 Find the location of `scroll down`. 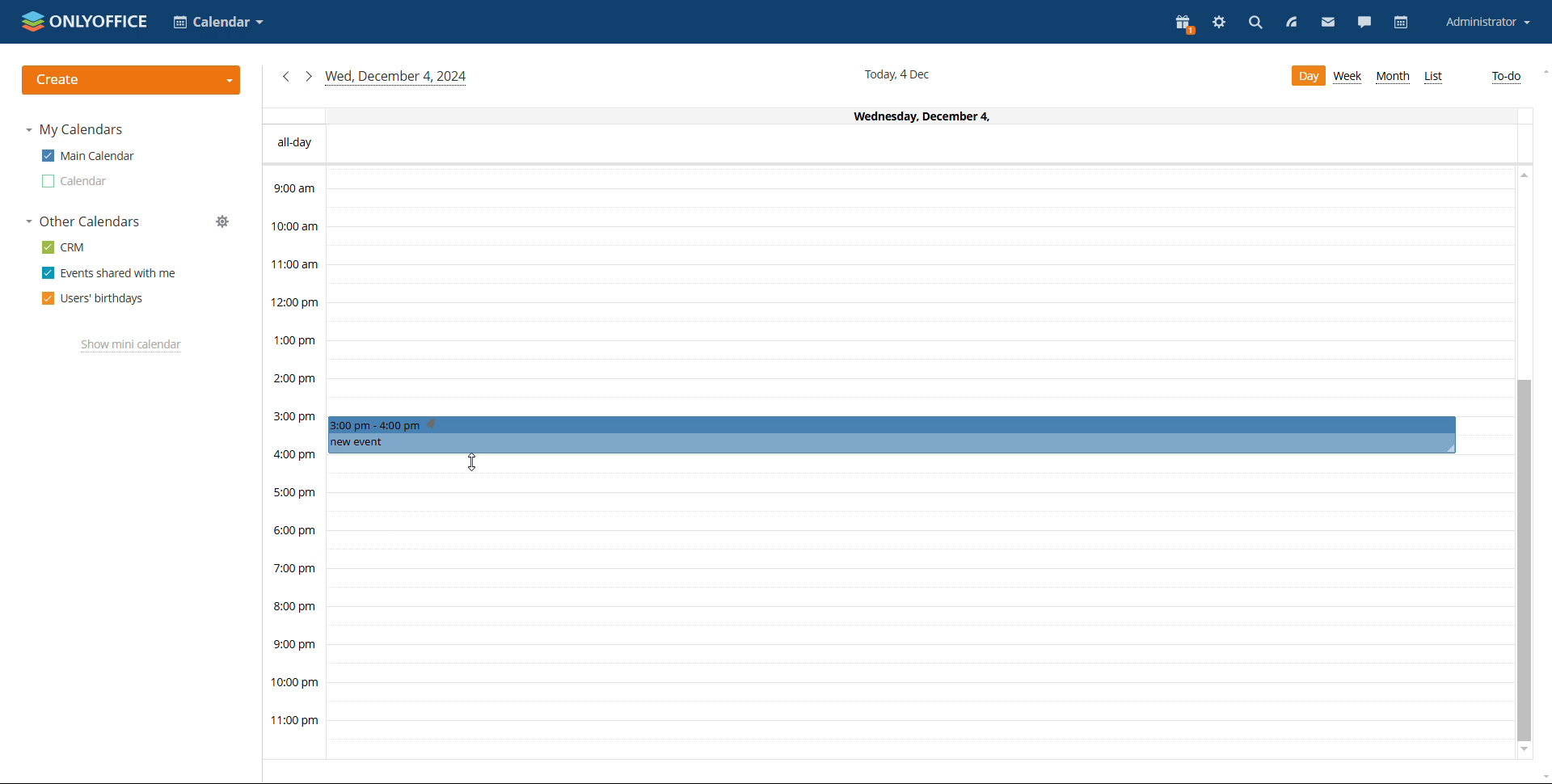

scroll down is located at coordinates (1525, 752).